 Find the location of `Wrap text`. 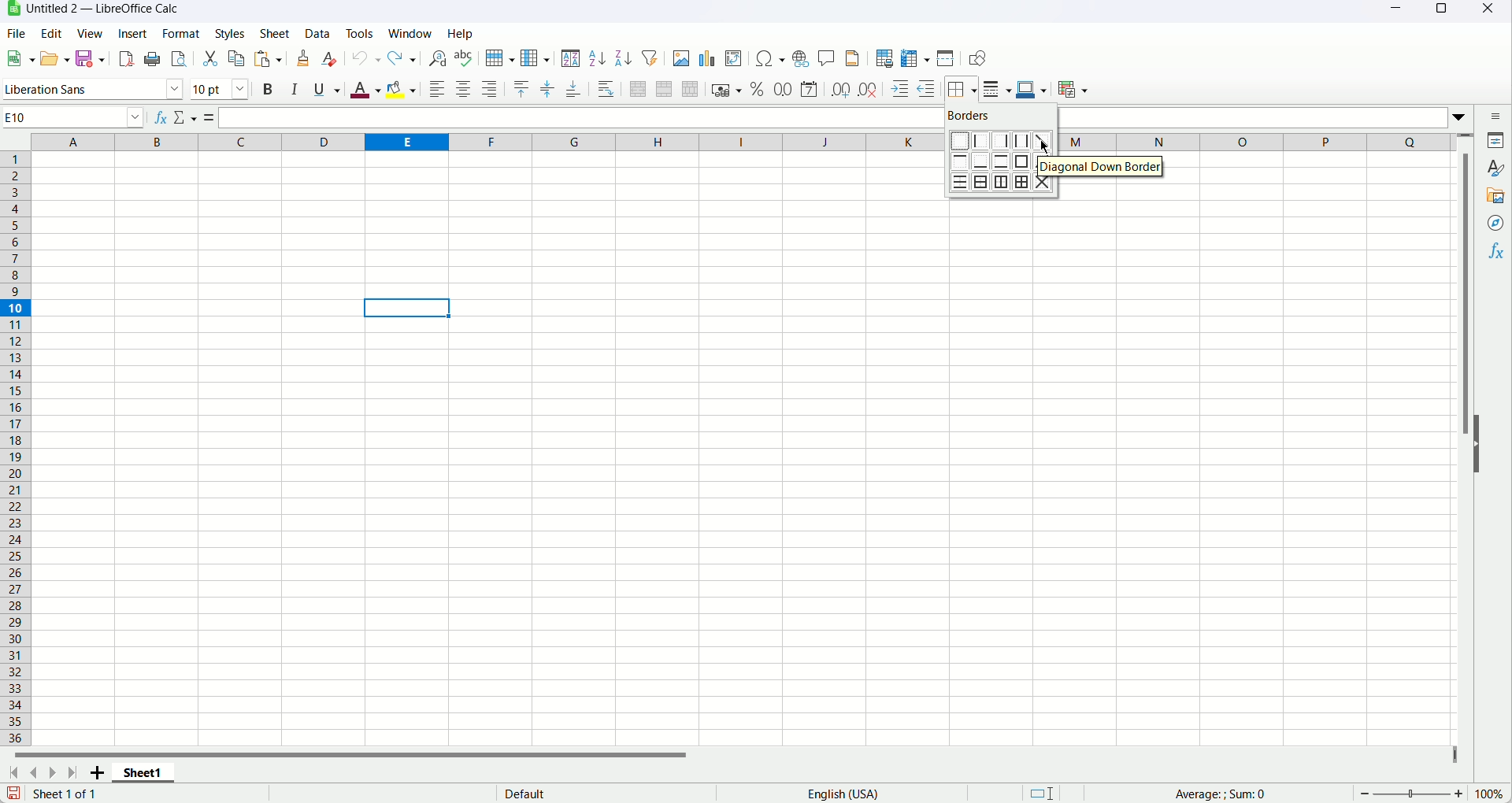

Wrap text is located at coordinates (606, 88).